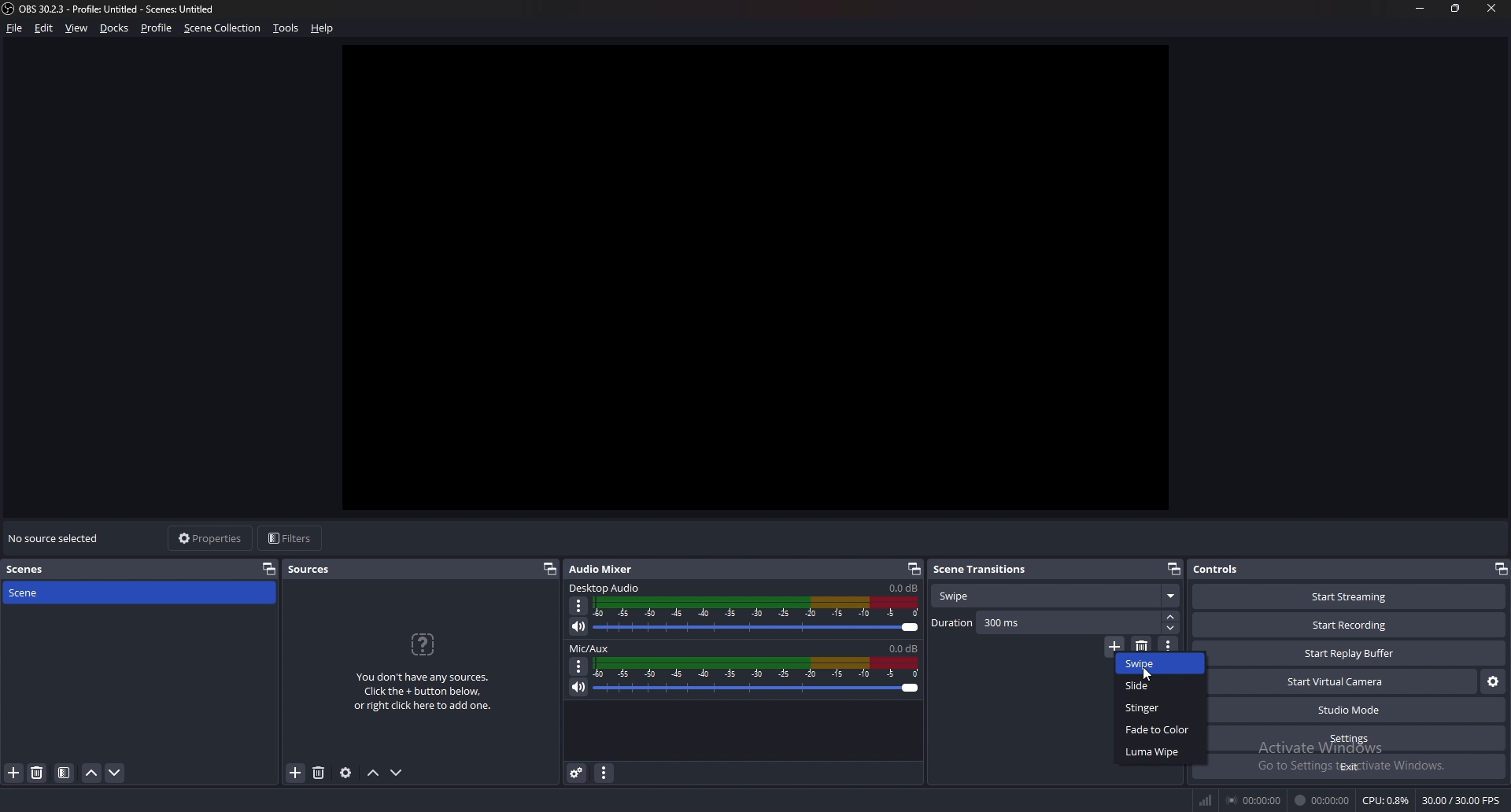 Image resolution: width=1511 pixels, height=812 pixels. I want to click on remove scene, so click(39, 772).